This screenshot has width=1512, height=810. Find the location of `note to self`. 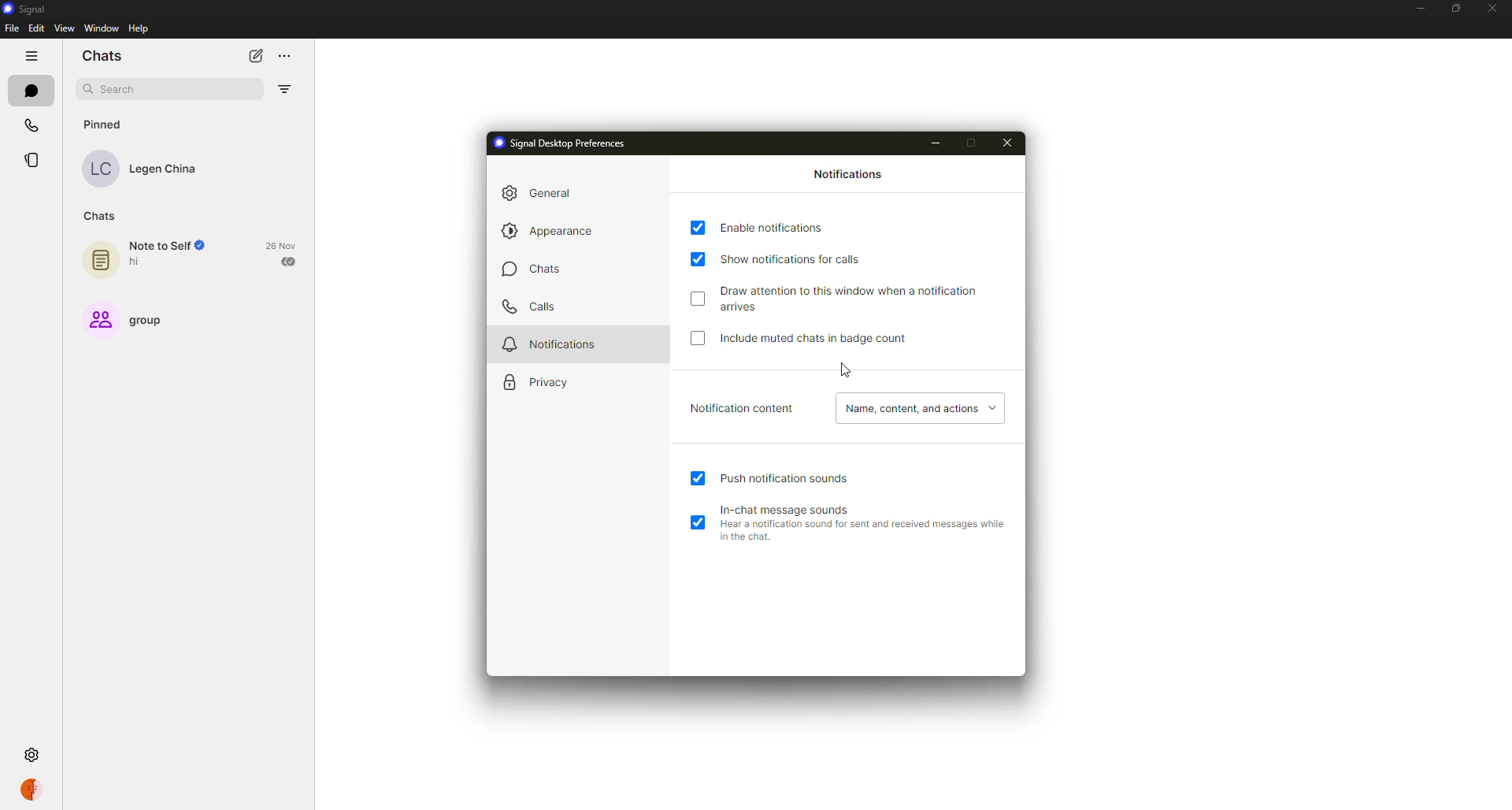

note to self is located at coordinates (143, 258).